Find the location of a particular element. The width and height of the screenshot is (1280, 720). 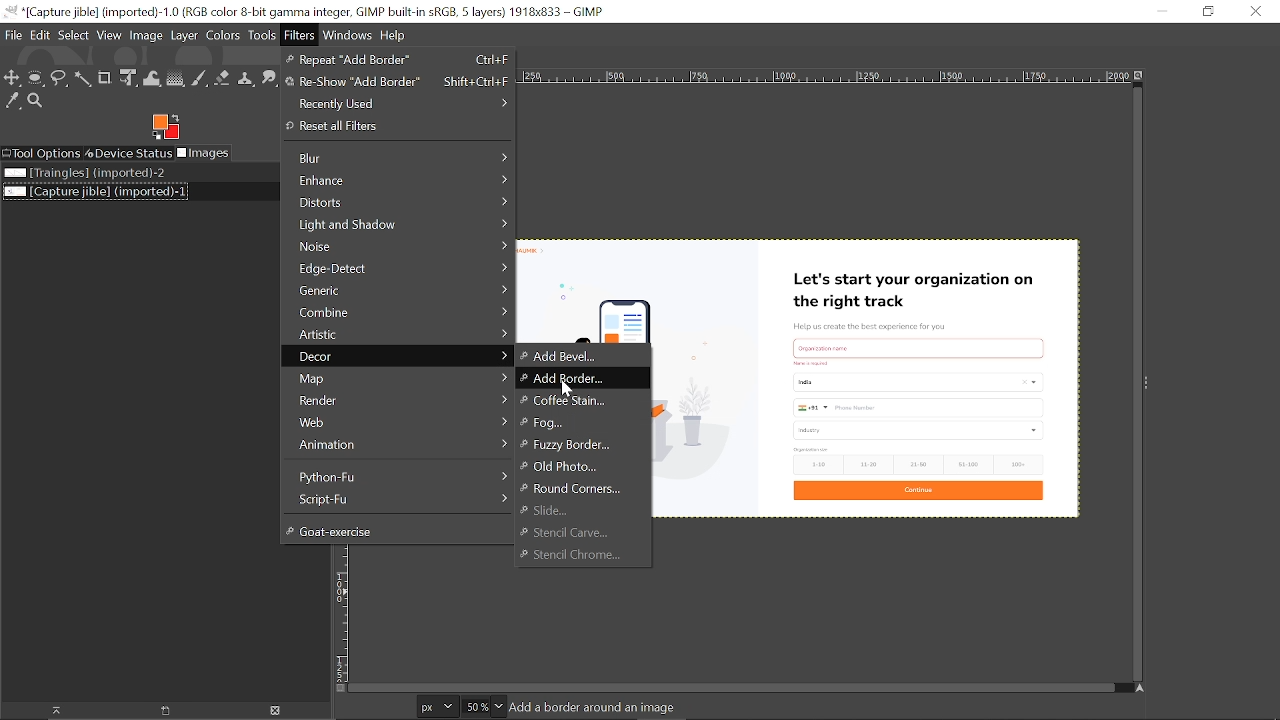

Current image units is located at coordinates (438, 707).